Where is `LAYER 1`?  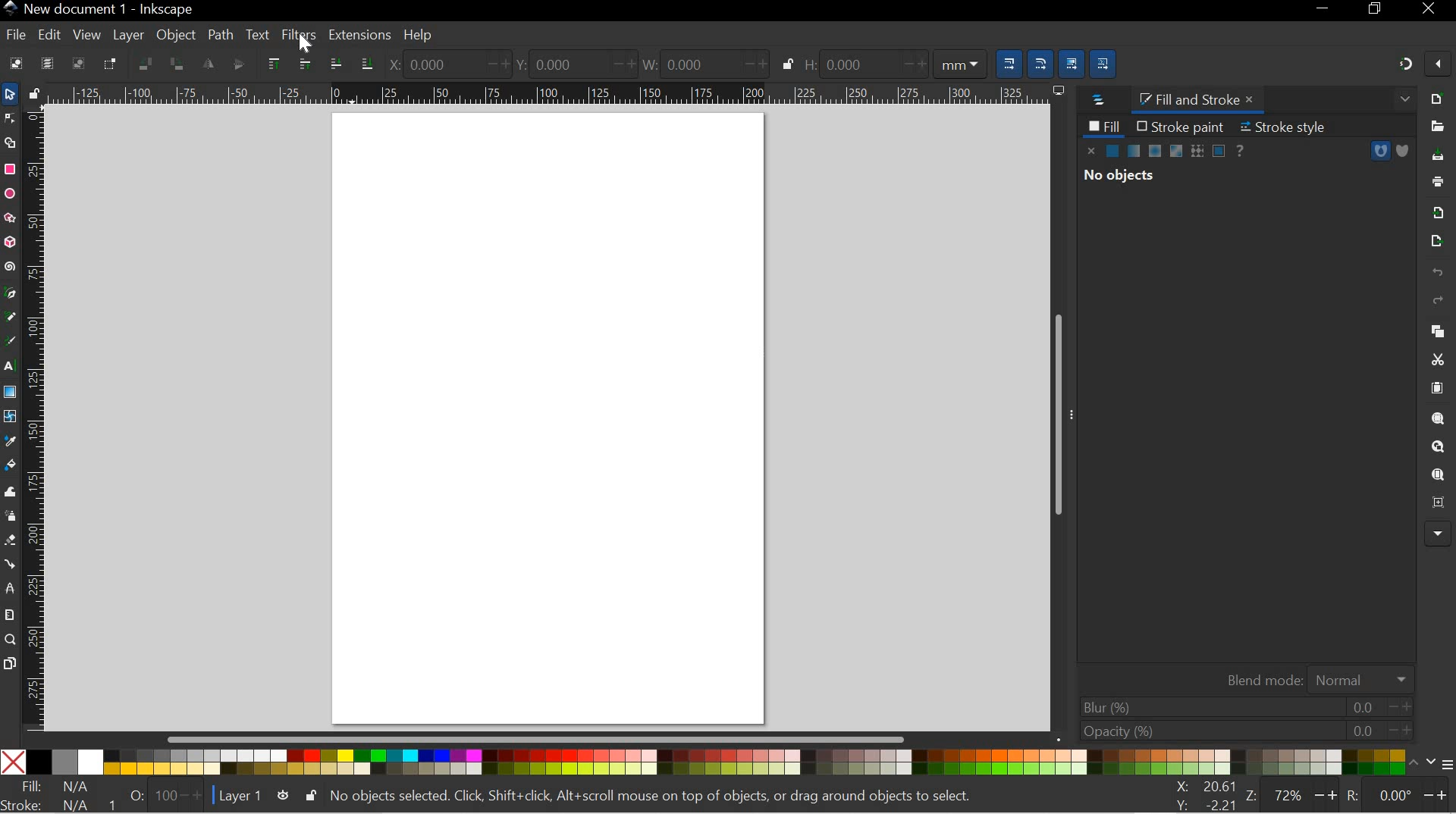
LAYER 1 is located at coordinates (240, 797).